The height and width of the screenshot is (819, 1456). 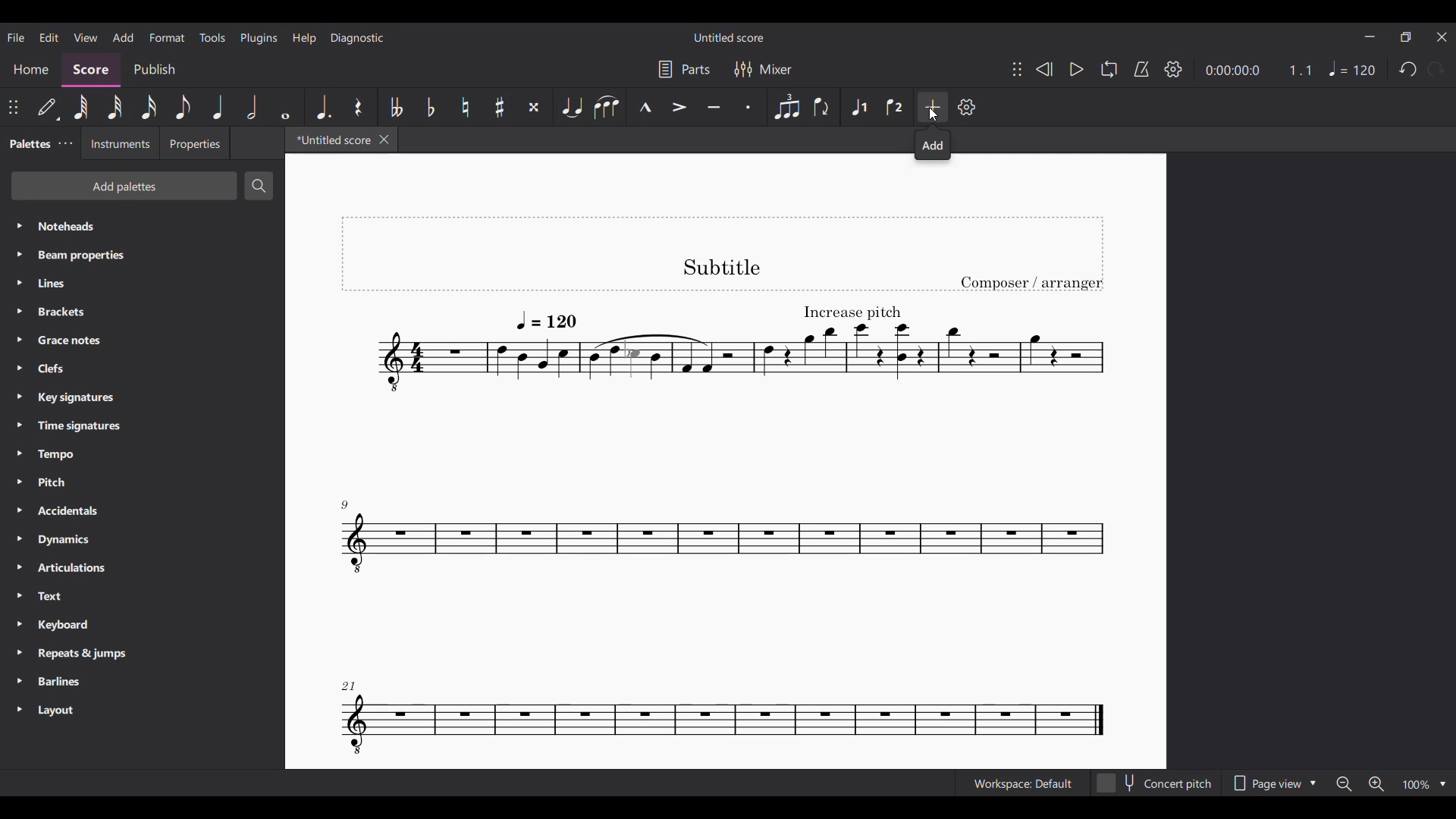 I want to click on Zoom in, so click(x=1376, y=784).